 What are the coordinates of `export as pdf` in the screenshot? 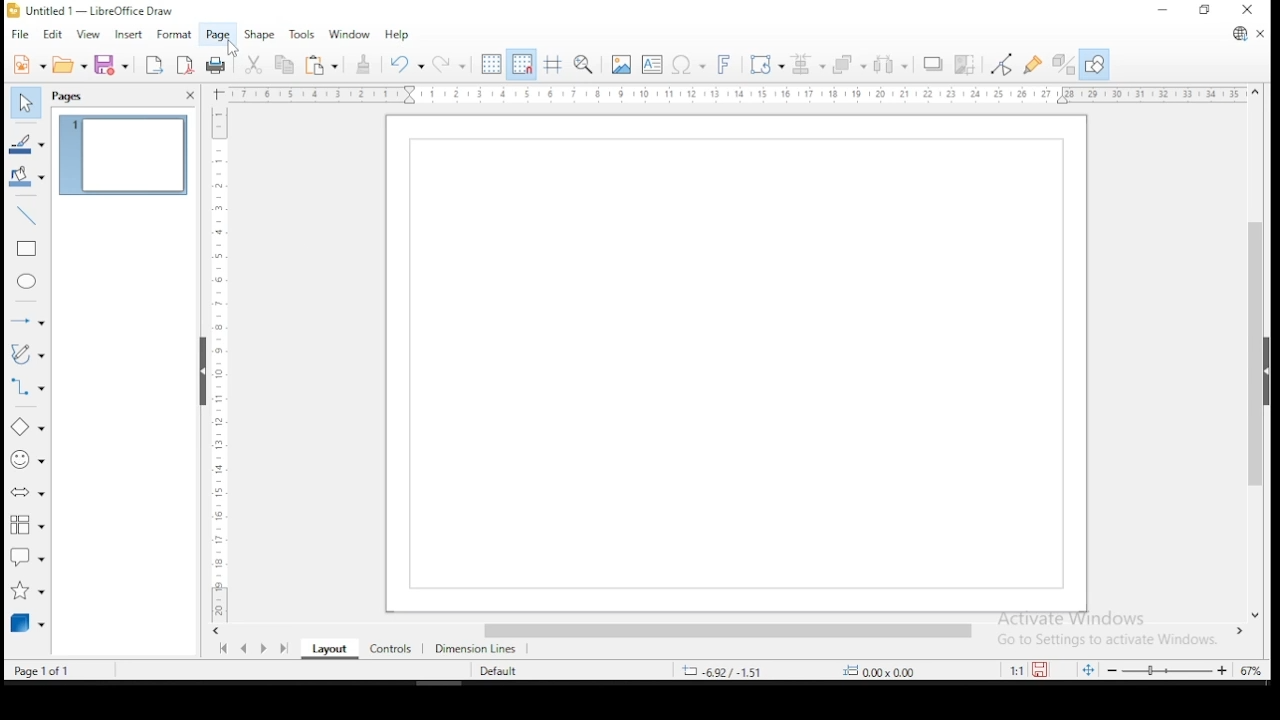 It's located at (184, 66).